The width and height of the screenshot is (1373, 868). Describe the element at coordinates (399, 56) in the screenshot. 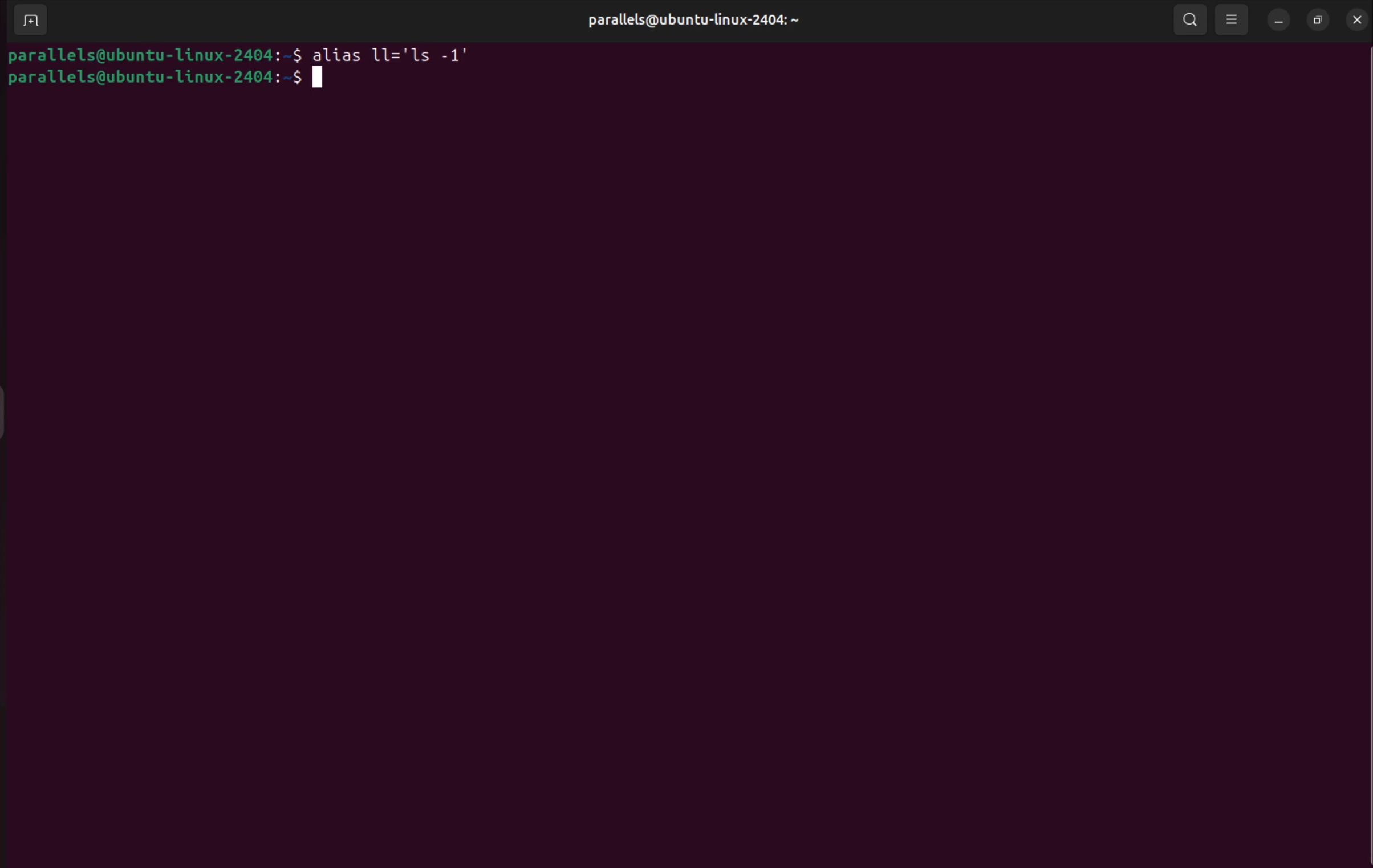

I see `alias 11="ls -1"` at that location.